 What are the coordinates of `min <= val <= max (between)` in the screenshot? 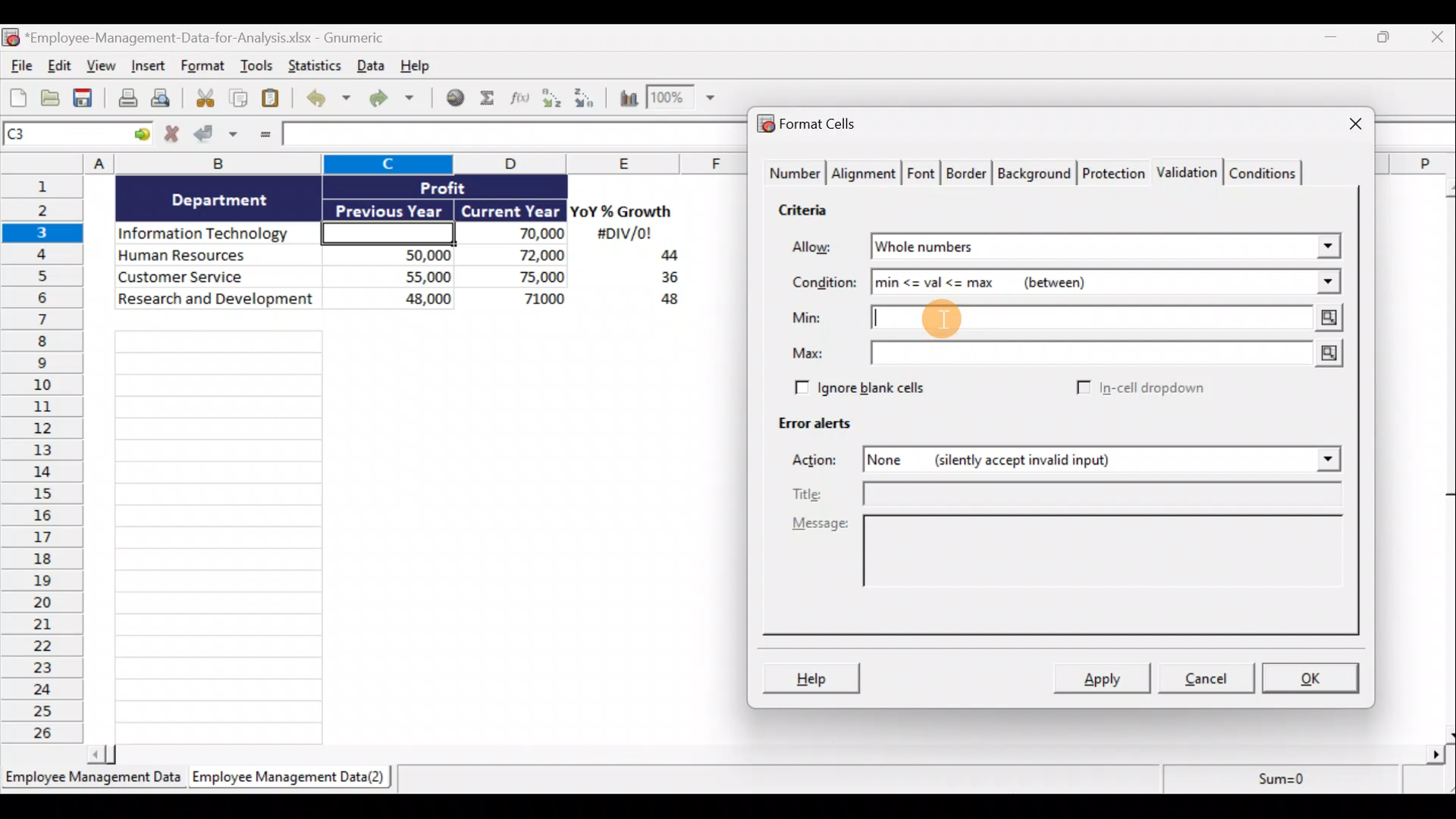 It's located at (1086, 285).